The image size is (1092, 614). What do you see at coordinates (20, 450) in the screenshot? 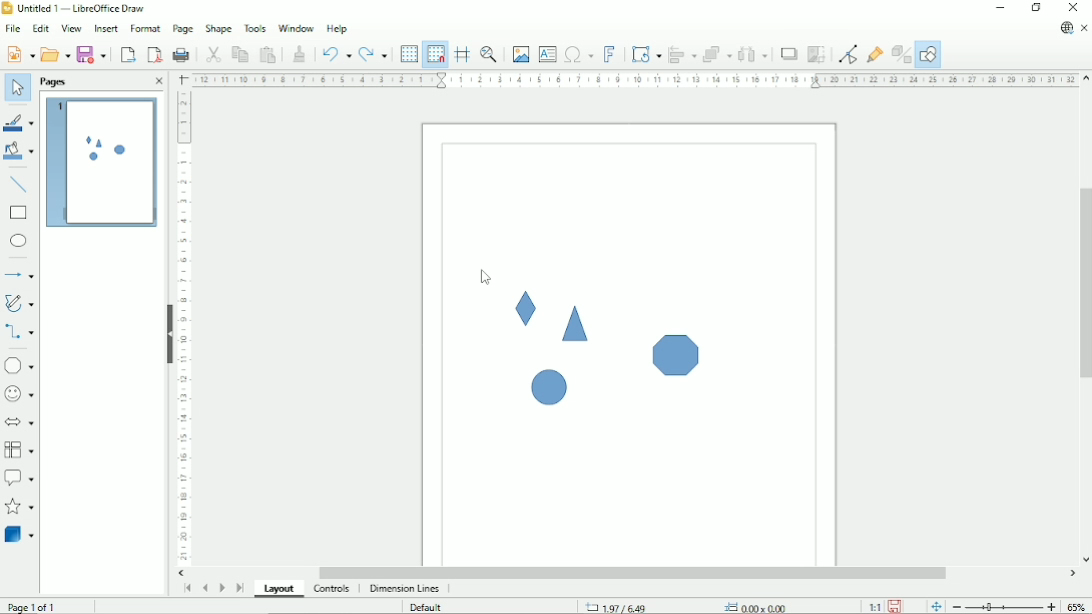
I see `Flowchart` at bounding box center [20, 450].